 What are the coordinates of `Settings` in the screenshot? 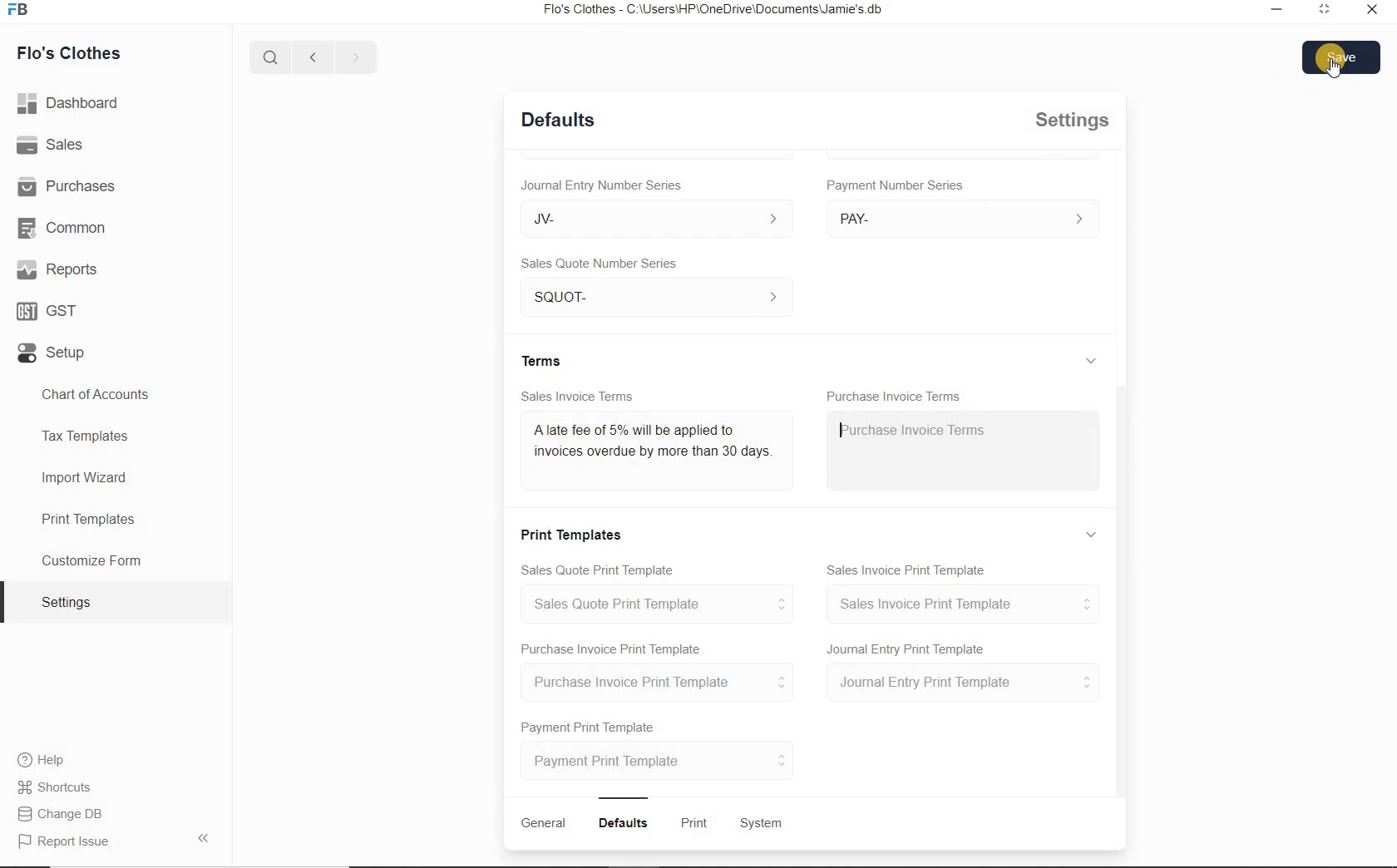 It's located at (73, 602).